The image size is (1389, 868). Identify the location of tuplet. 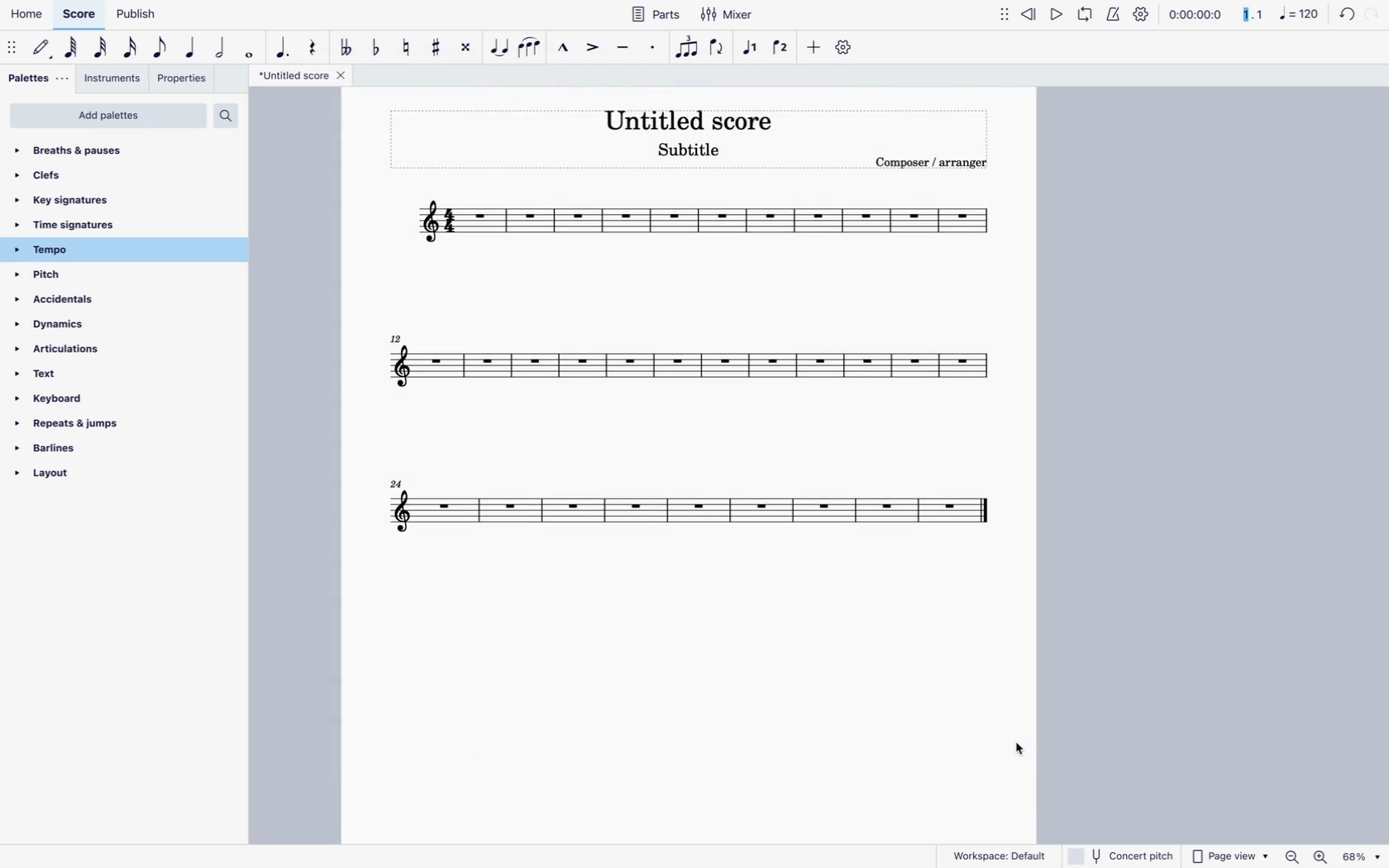
(687, 51).